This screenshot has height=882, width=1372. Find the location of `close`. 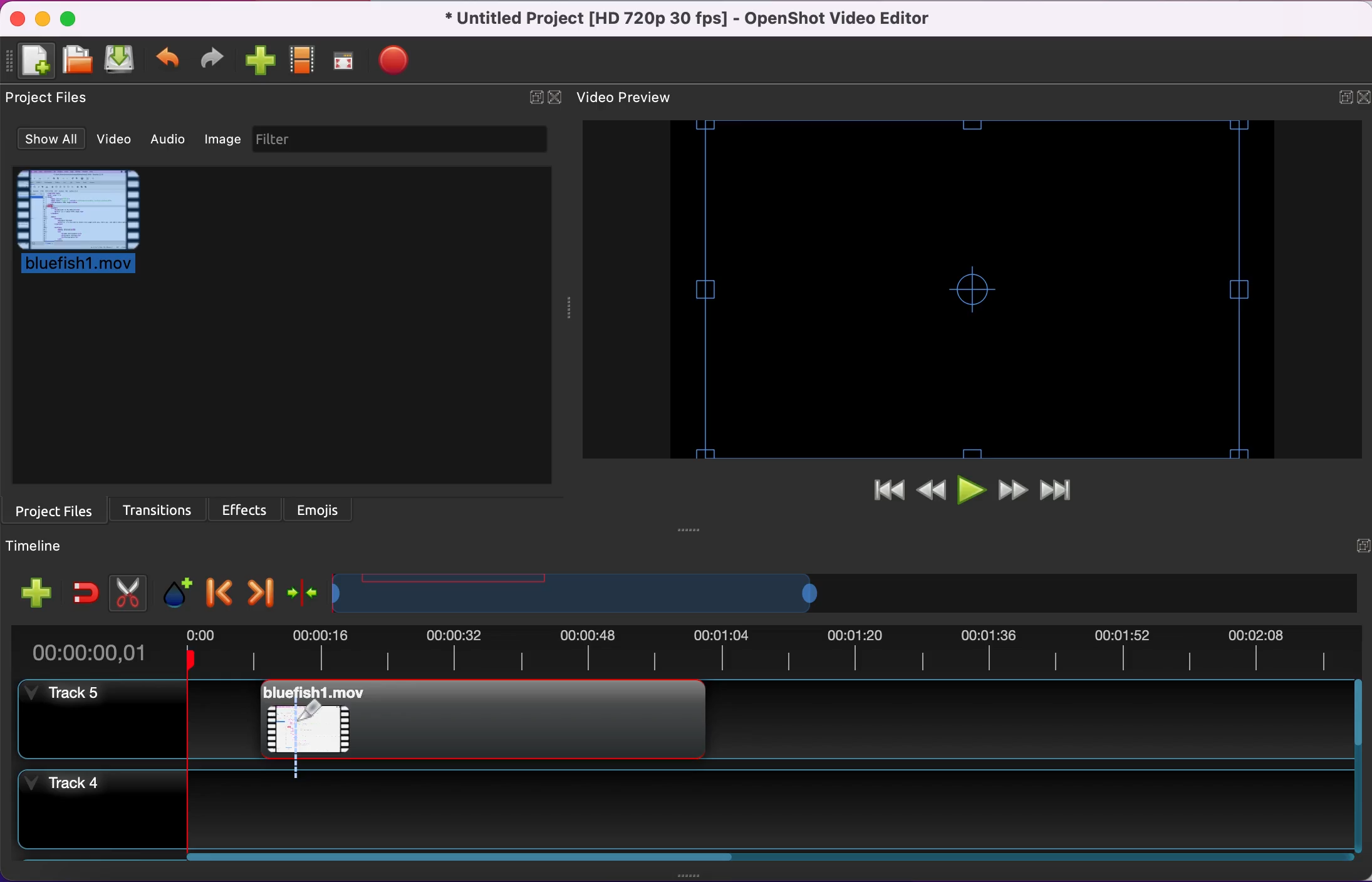

close is located at coordinates (16, 18).